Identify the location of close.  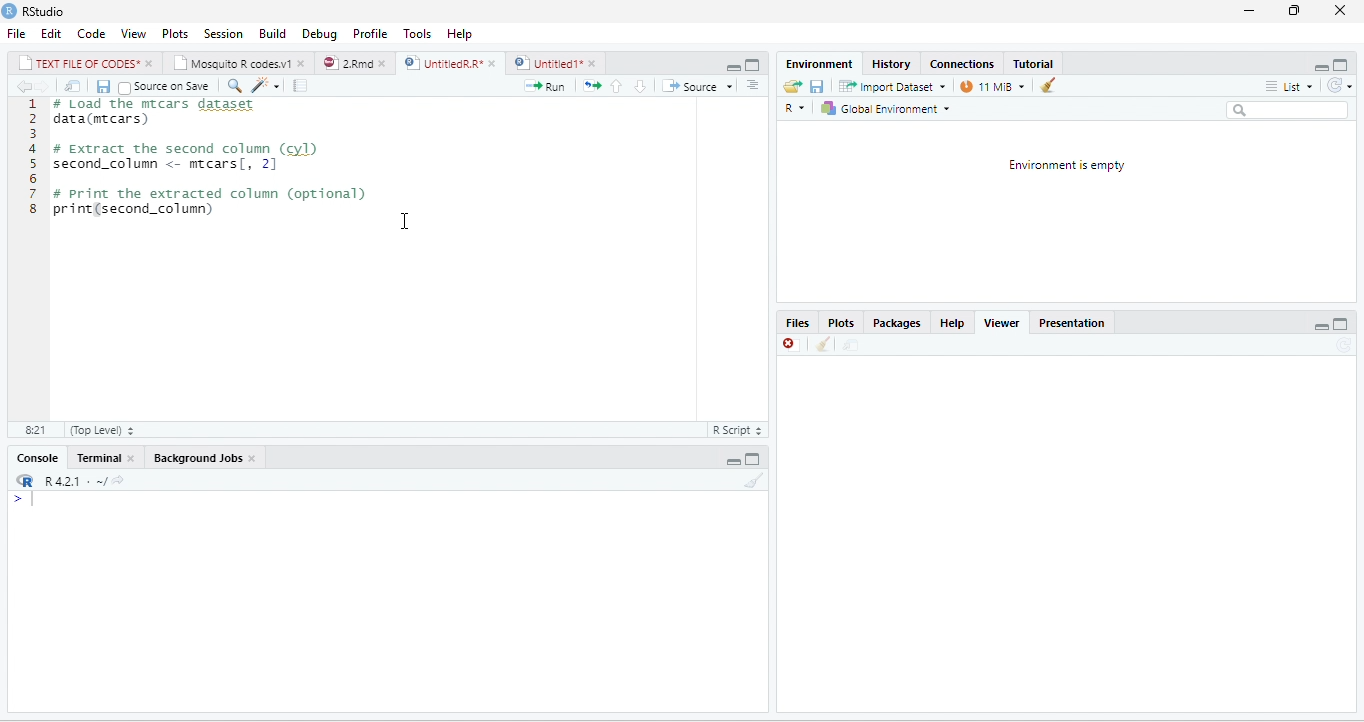
(1340, 10).